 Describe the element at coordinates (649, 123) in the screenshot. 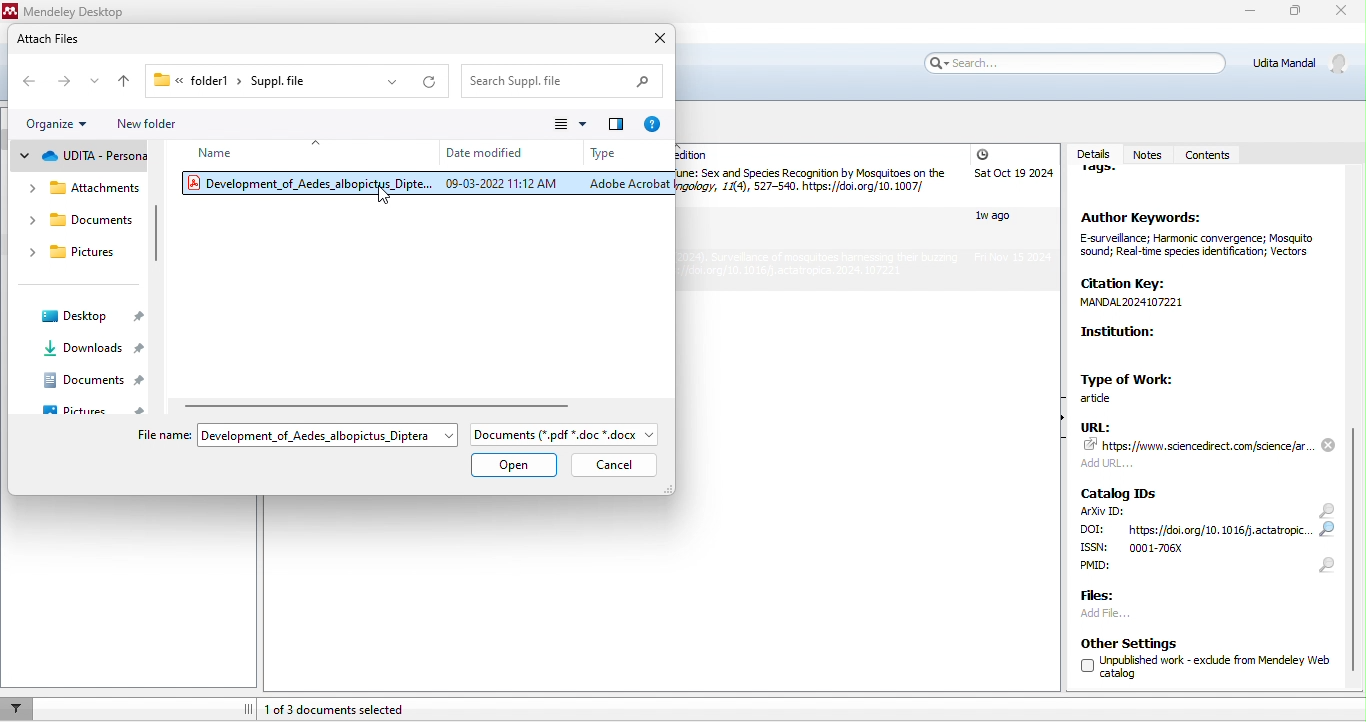

I see `help` at that location.